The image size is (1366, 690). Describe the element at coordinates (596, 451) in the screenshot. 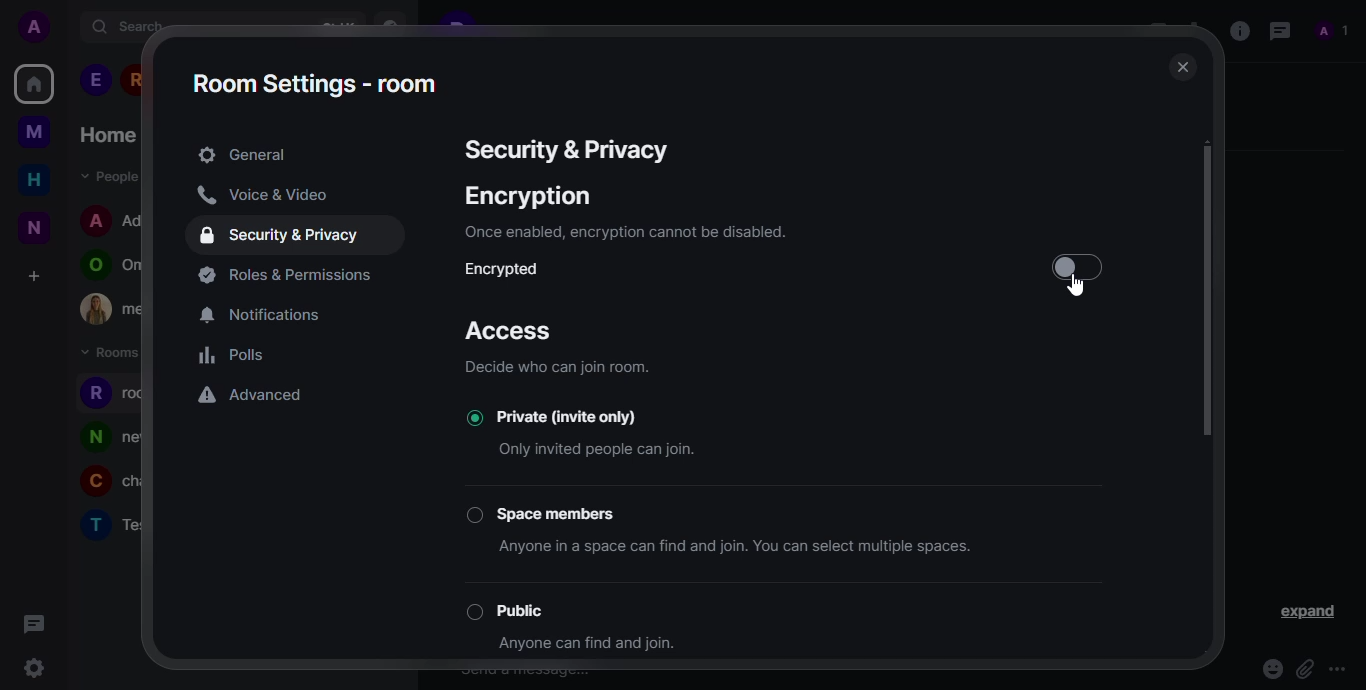

I see `info- Only invited people can join.` at that location.